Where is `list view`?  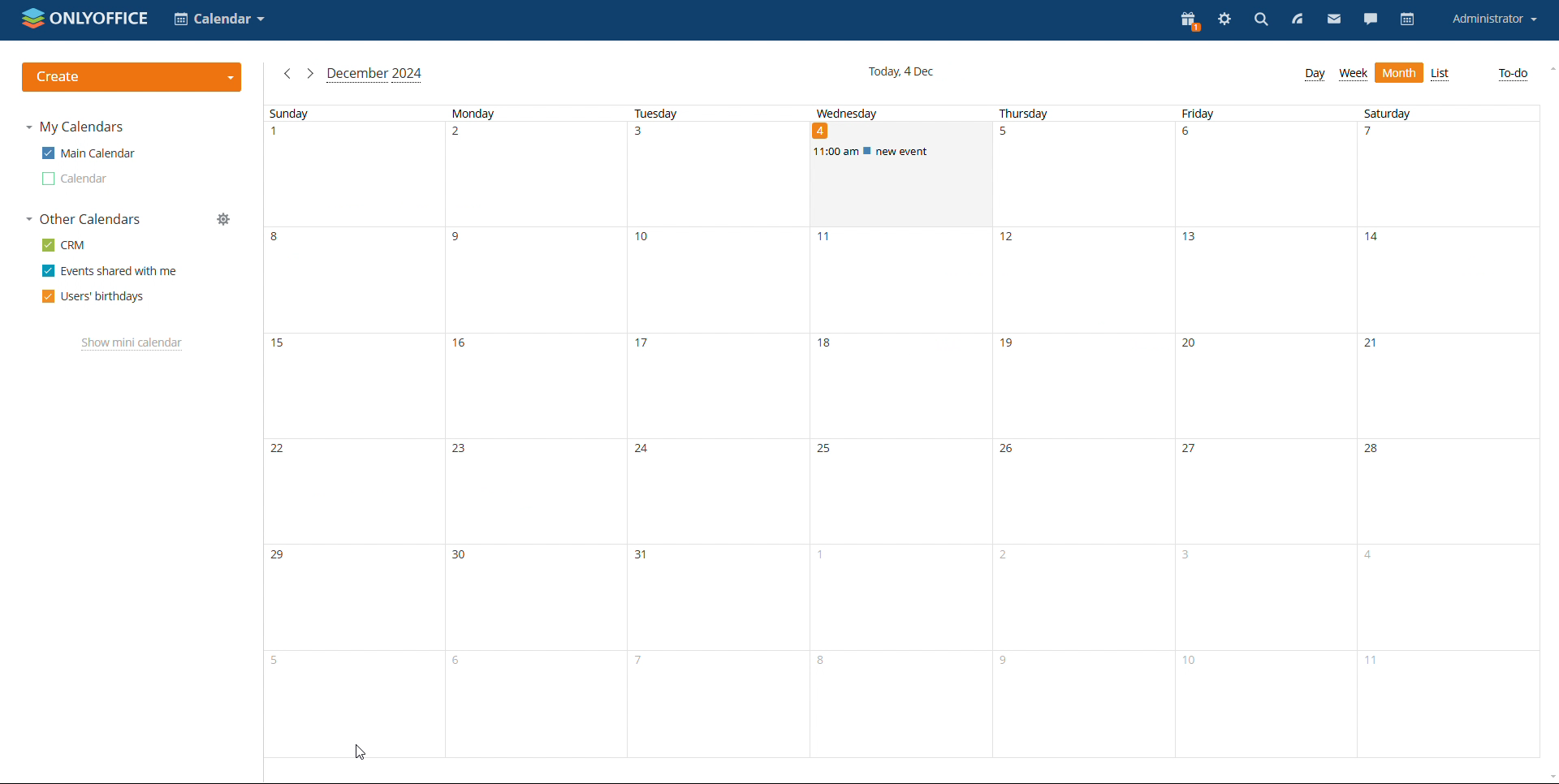
list view is located at coordinates (1399, 73).